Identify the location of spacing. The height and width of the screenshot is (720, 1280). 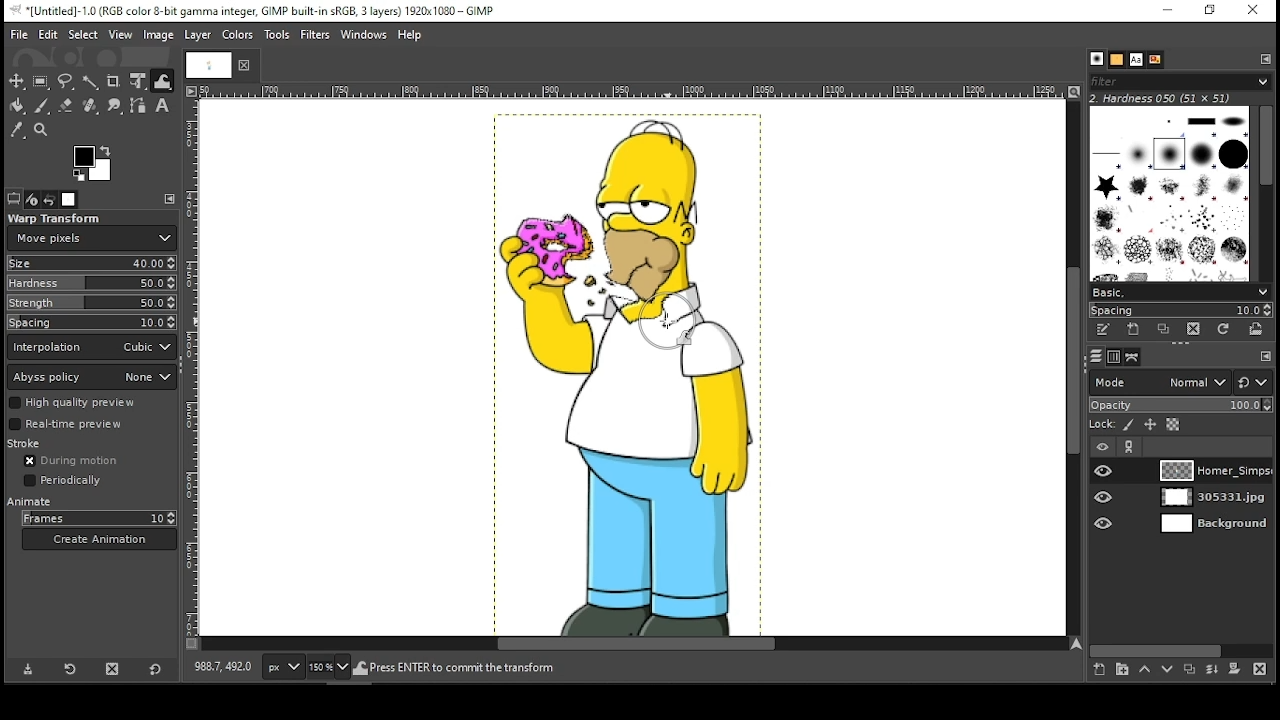
(1180, 310).